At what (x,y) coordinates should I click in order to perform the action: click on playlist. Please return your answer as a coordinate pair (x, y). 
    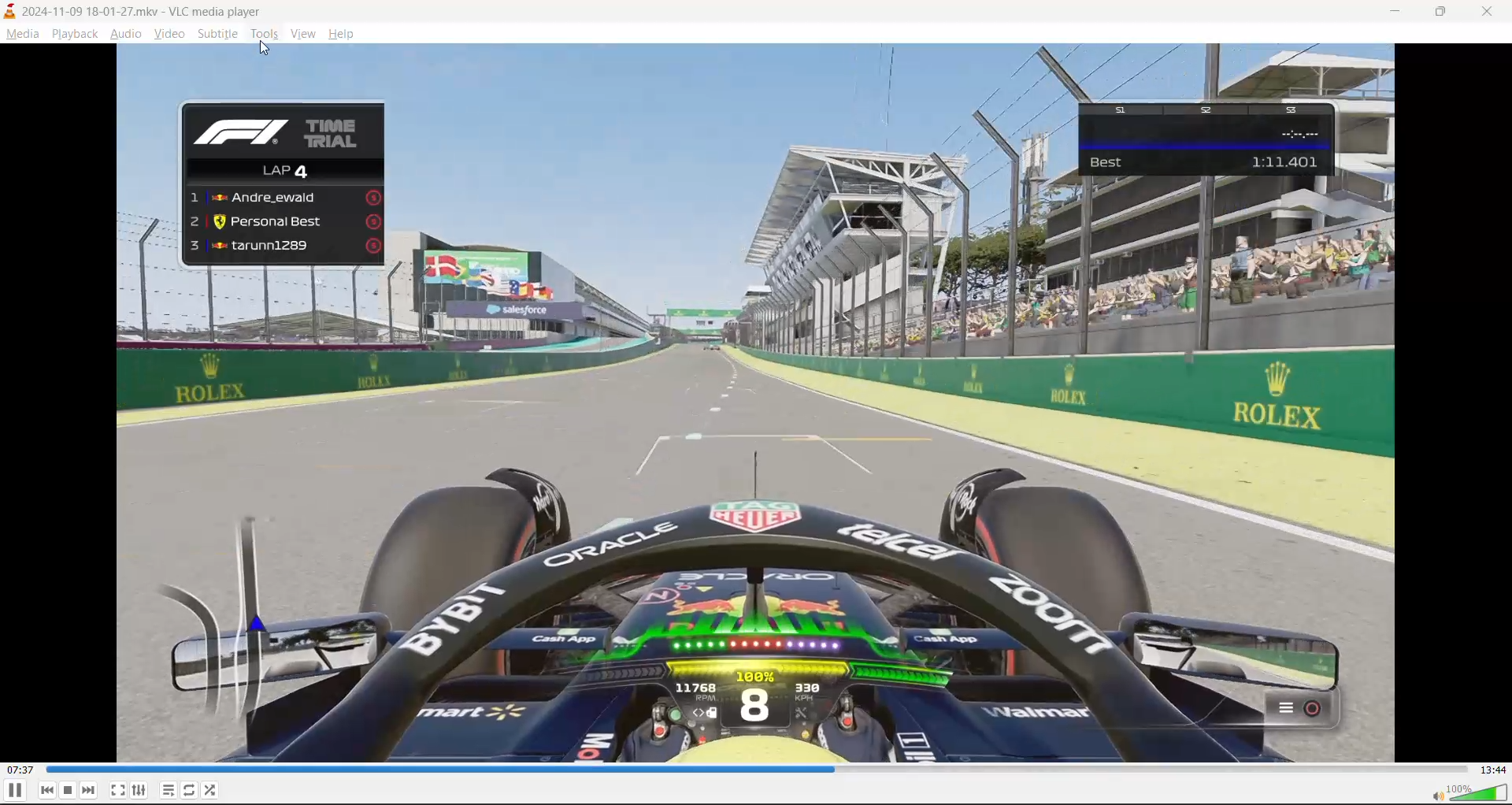
    Looking at the image, I should click on (169, 790).